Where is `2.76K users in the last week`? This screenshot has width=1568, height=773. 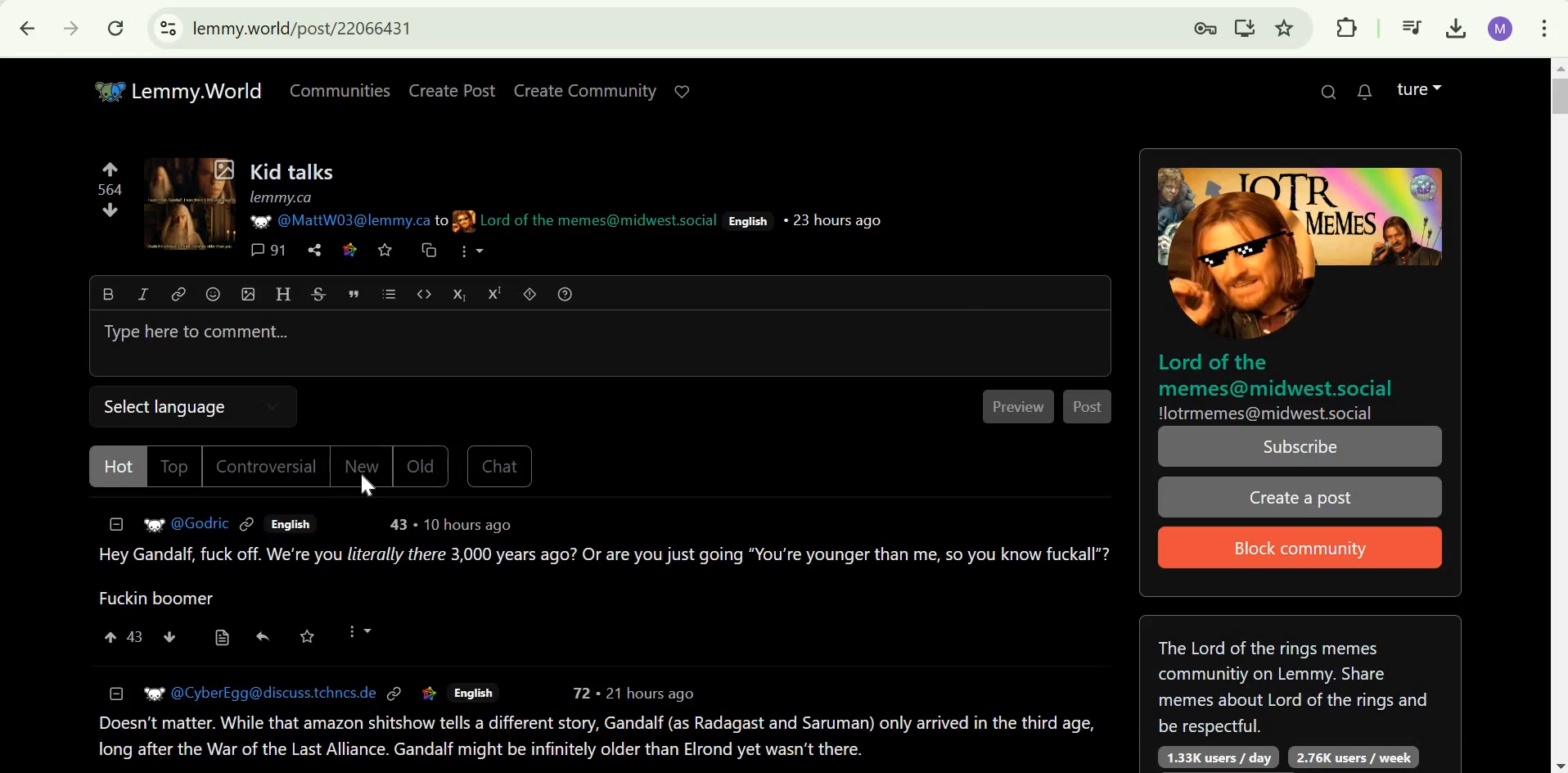 2.76K users in the last week is located at coordinates (1355, 757).